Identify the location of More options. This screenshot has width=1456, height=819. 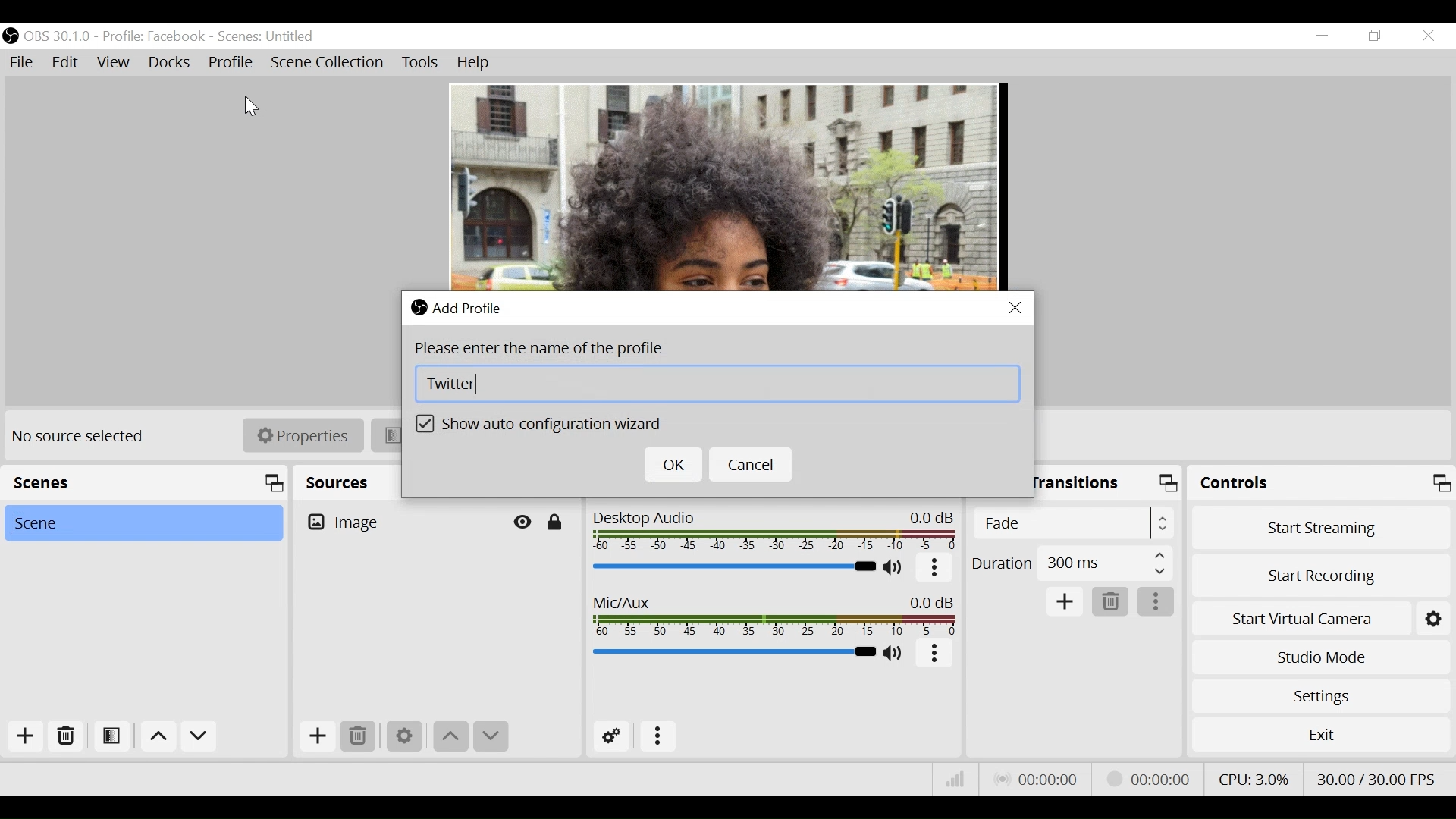
(1156, 602).